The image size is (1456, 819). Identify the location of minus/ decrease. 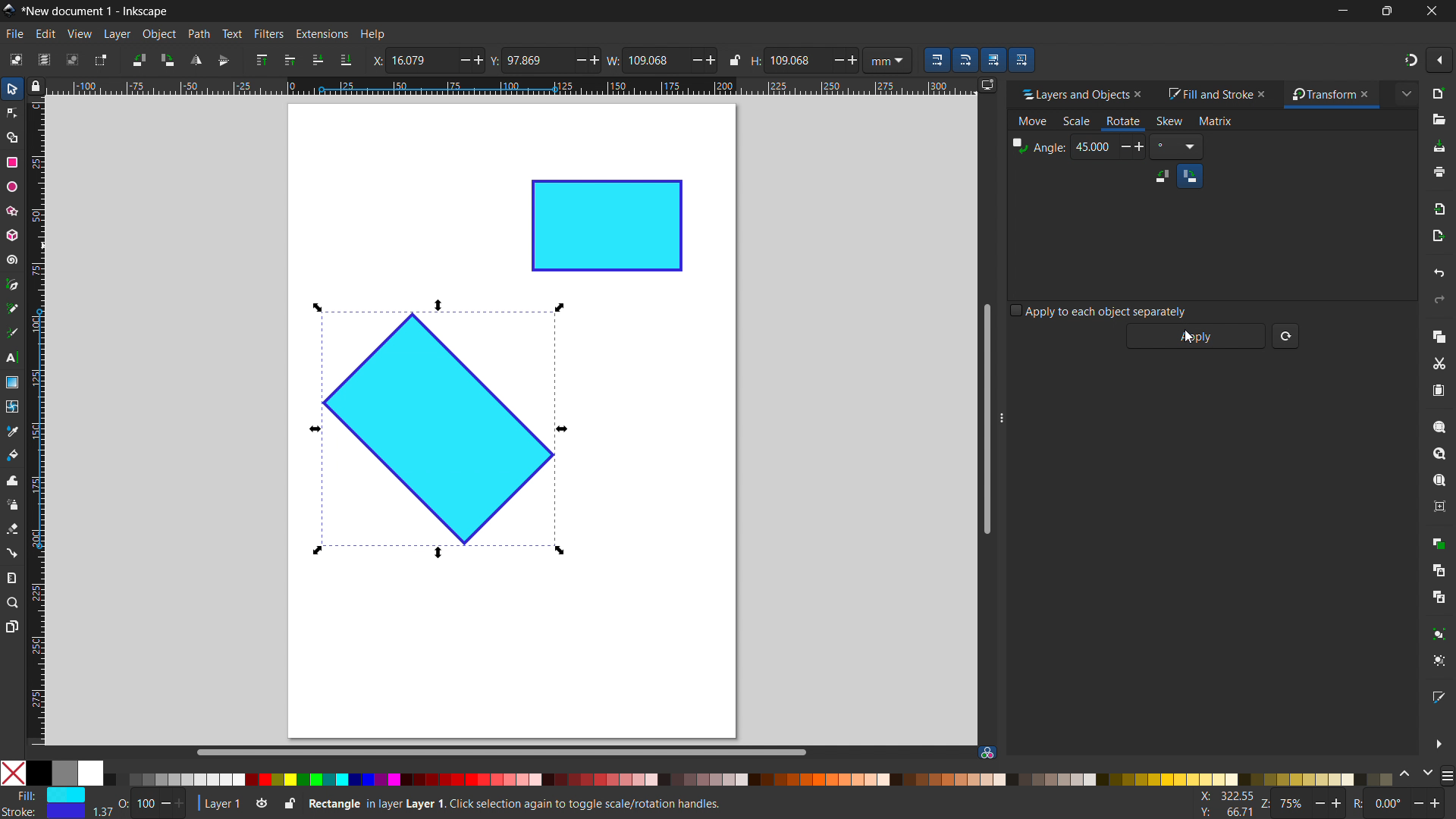
(458, 60).